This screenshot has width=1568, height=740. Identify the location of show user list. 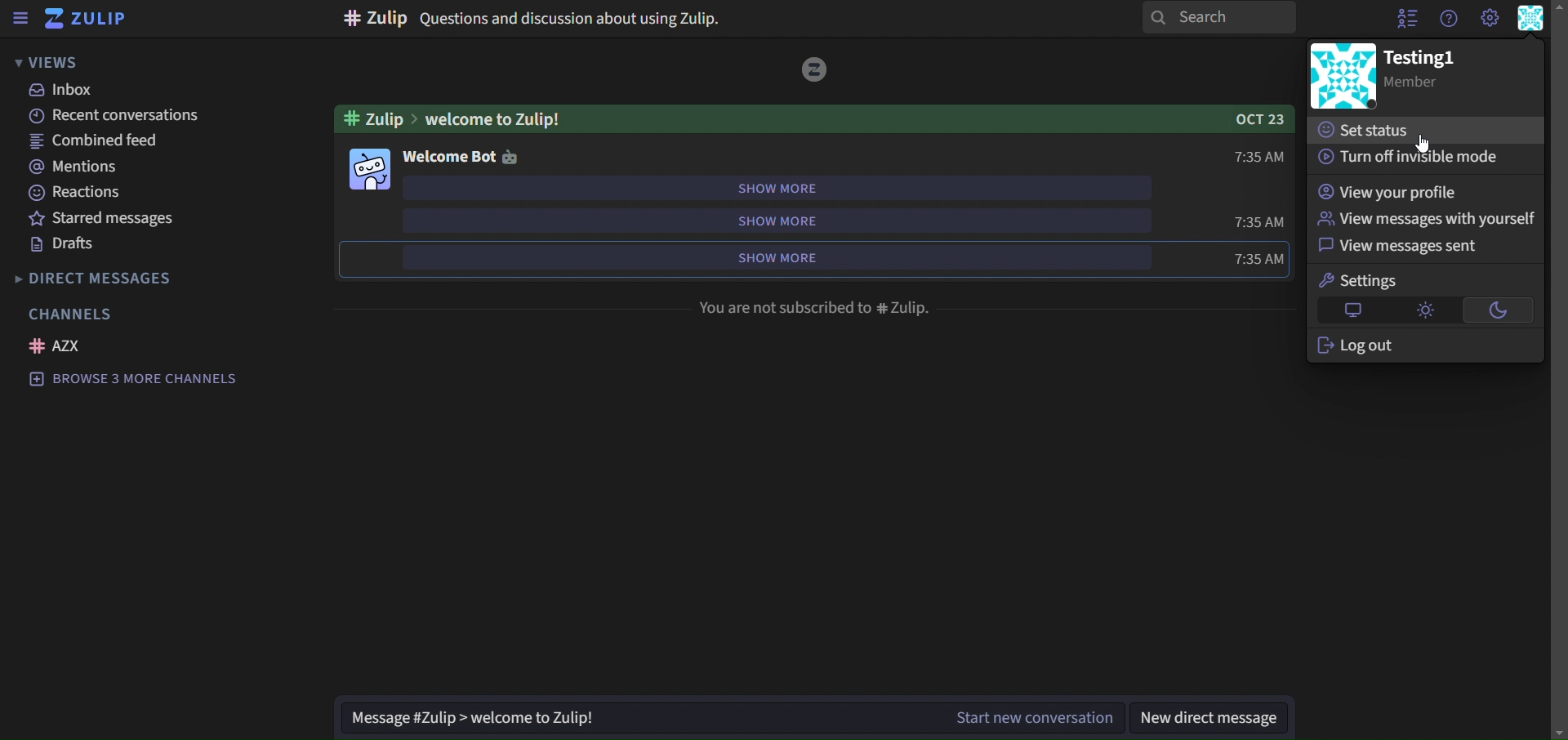
(1410, 17).